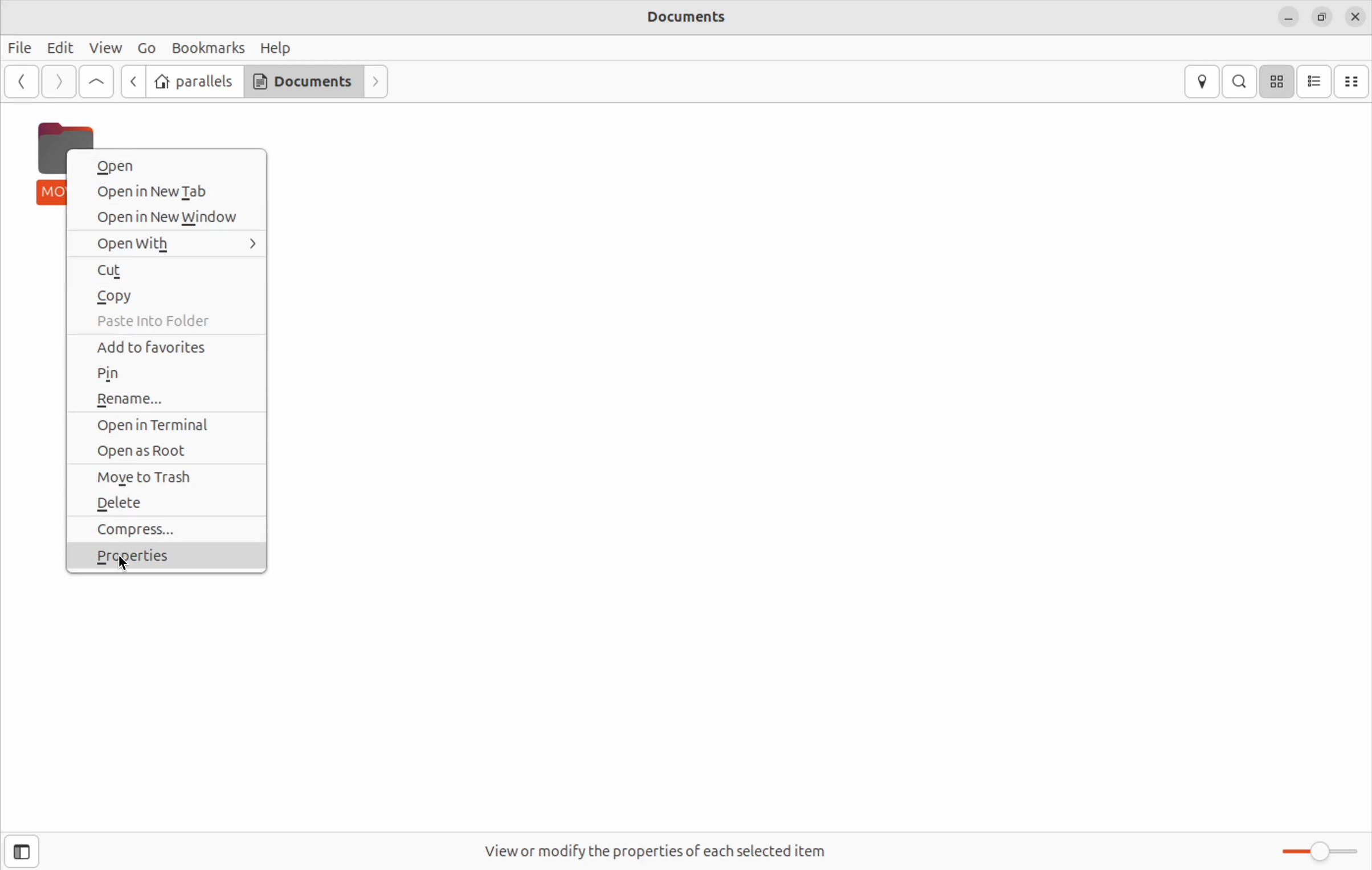 This screenshot has height=870, width=1372. Describe the element at coordinates (163, 424) in the screenshot. I see `Open in Terminal` at that location.